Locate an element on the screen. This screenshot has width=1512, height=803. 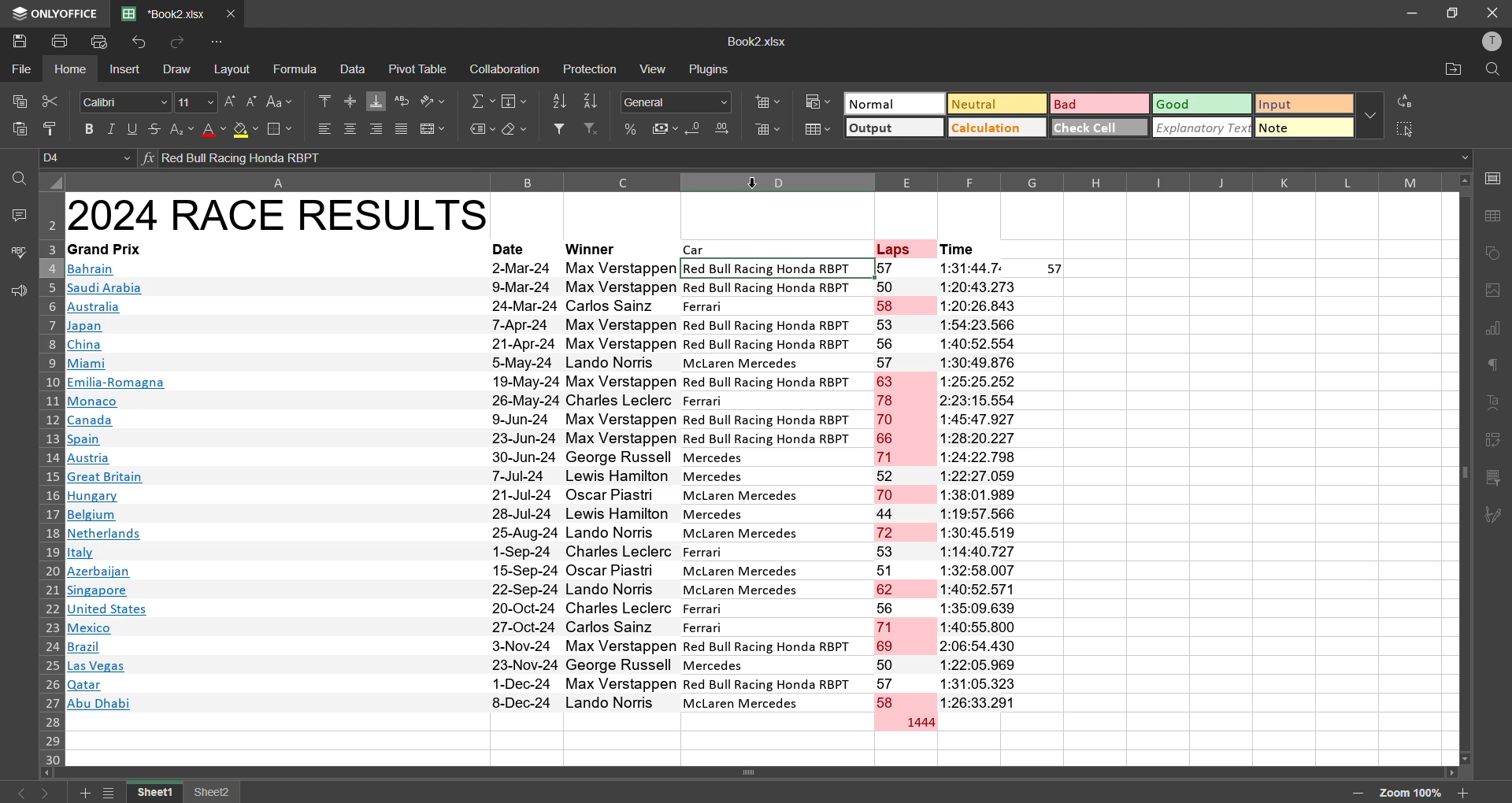
column names is located at coordinates (758, 181).